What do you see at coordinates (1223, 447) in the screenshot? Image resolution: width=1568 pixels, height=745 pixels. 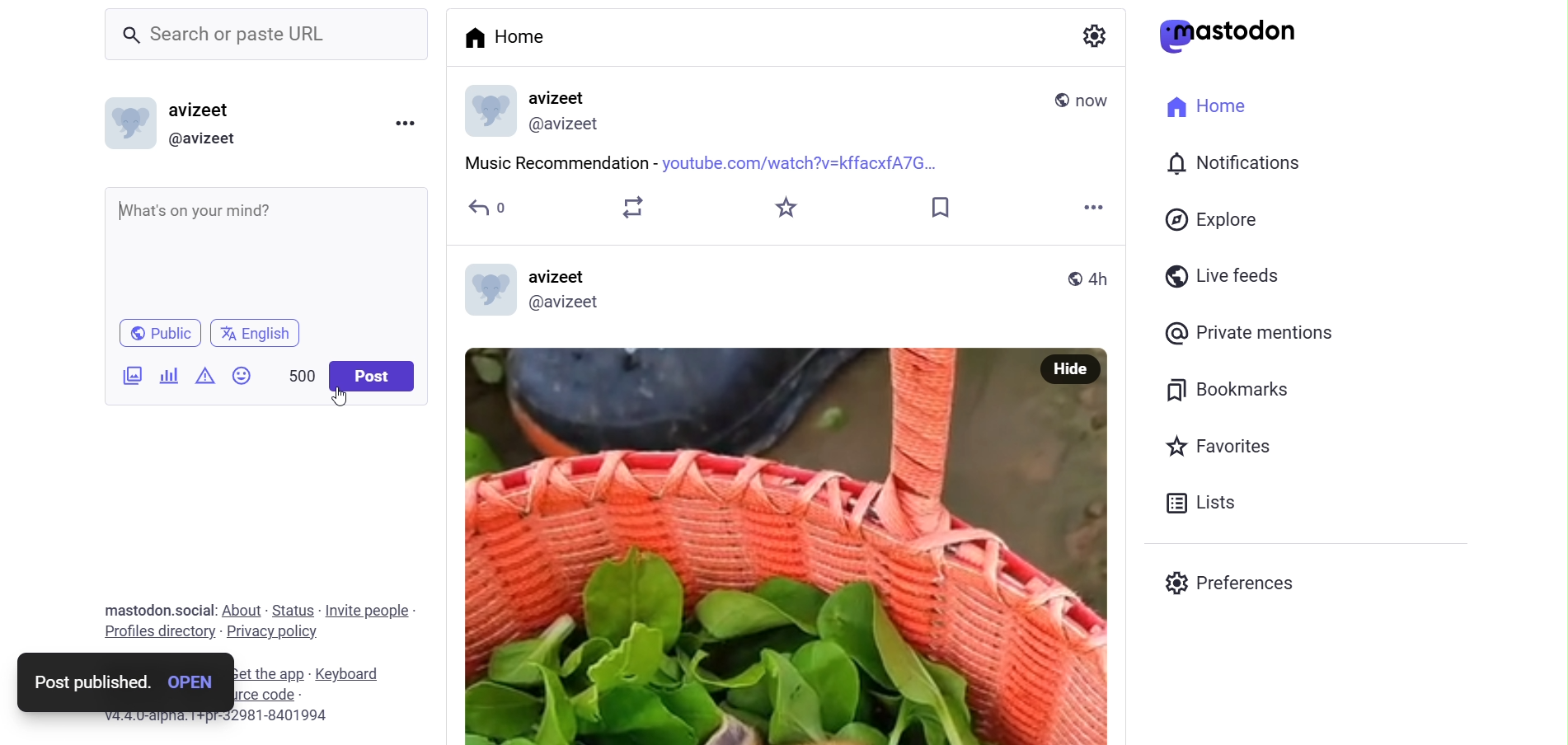 I see `Favorites` at bounding box center [1223, 447].